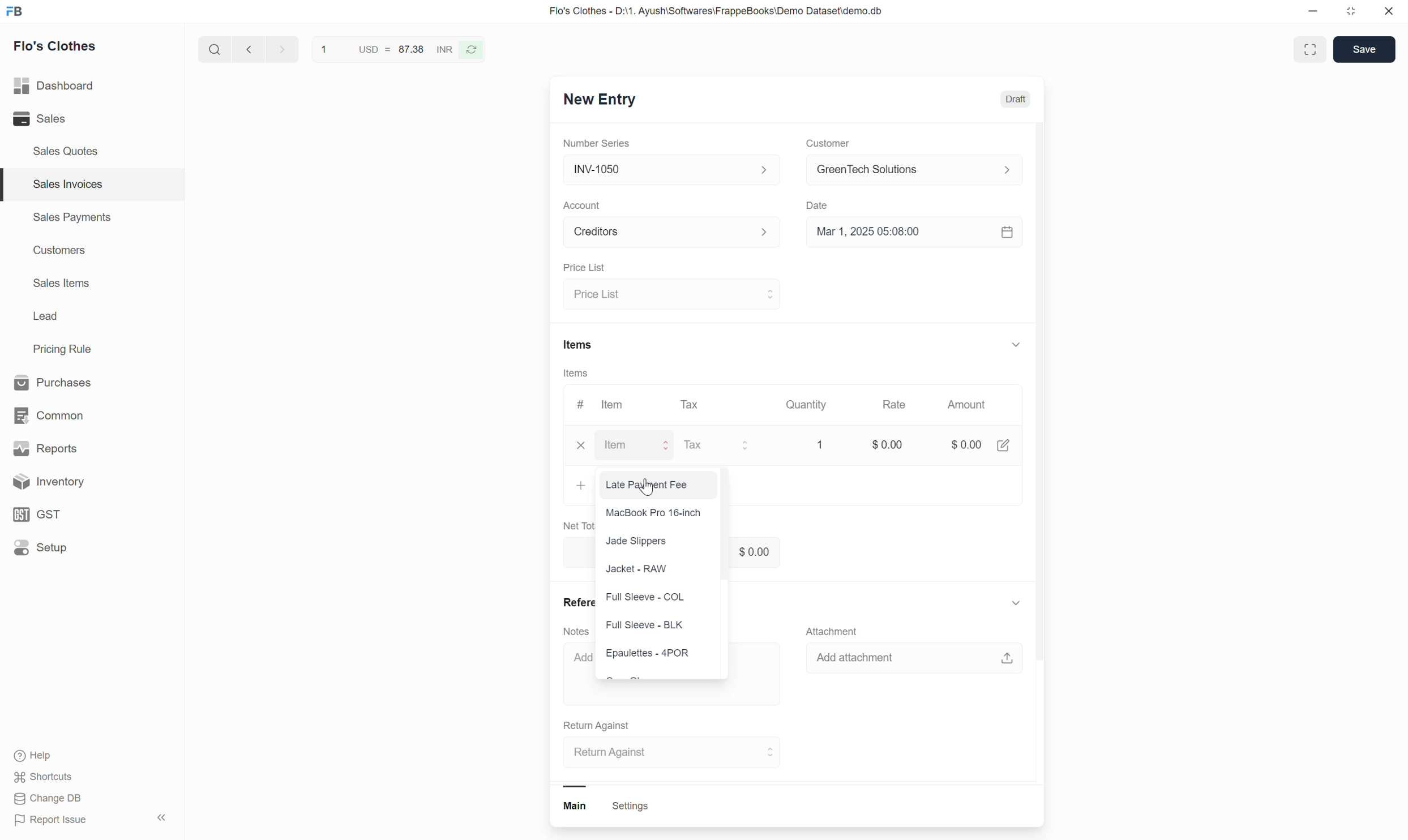 This screenshot has width=1408, height=840. What do you see at coordinates (74, 86) in the screenshot?
I see `Dashboard ` at bounding box center [74, 86].